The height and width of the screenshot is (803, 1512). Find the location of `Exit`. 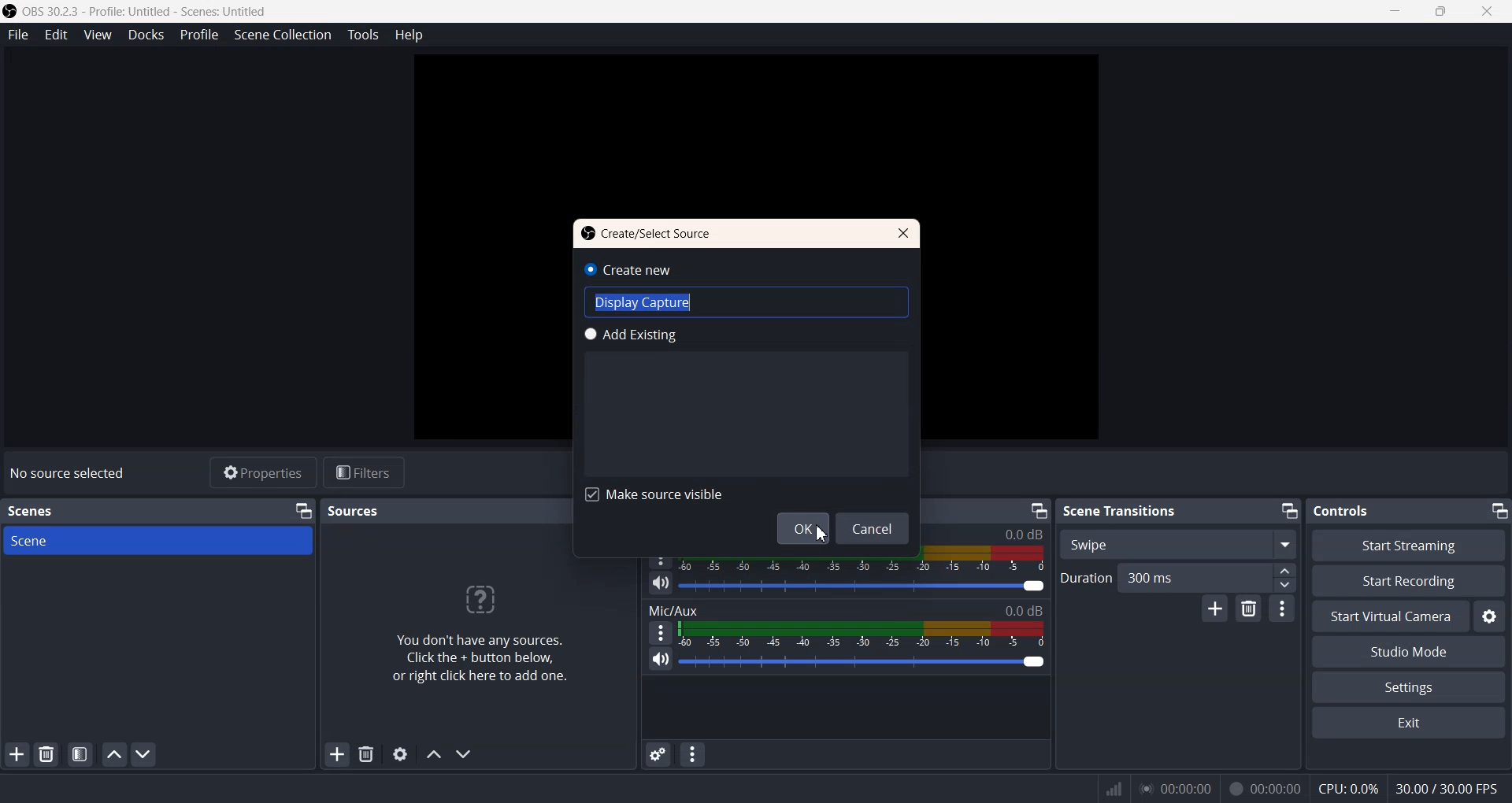

Exit is located at coordinates (1407, 723).